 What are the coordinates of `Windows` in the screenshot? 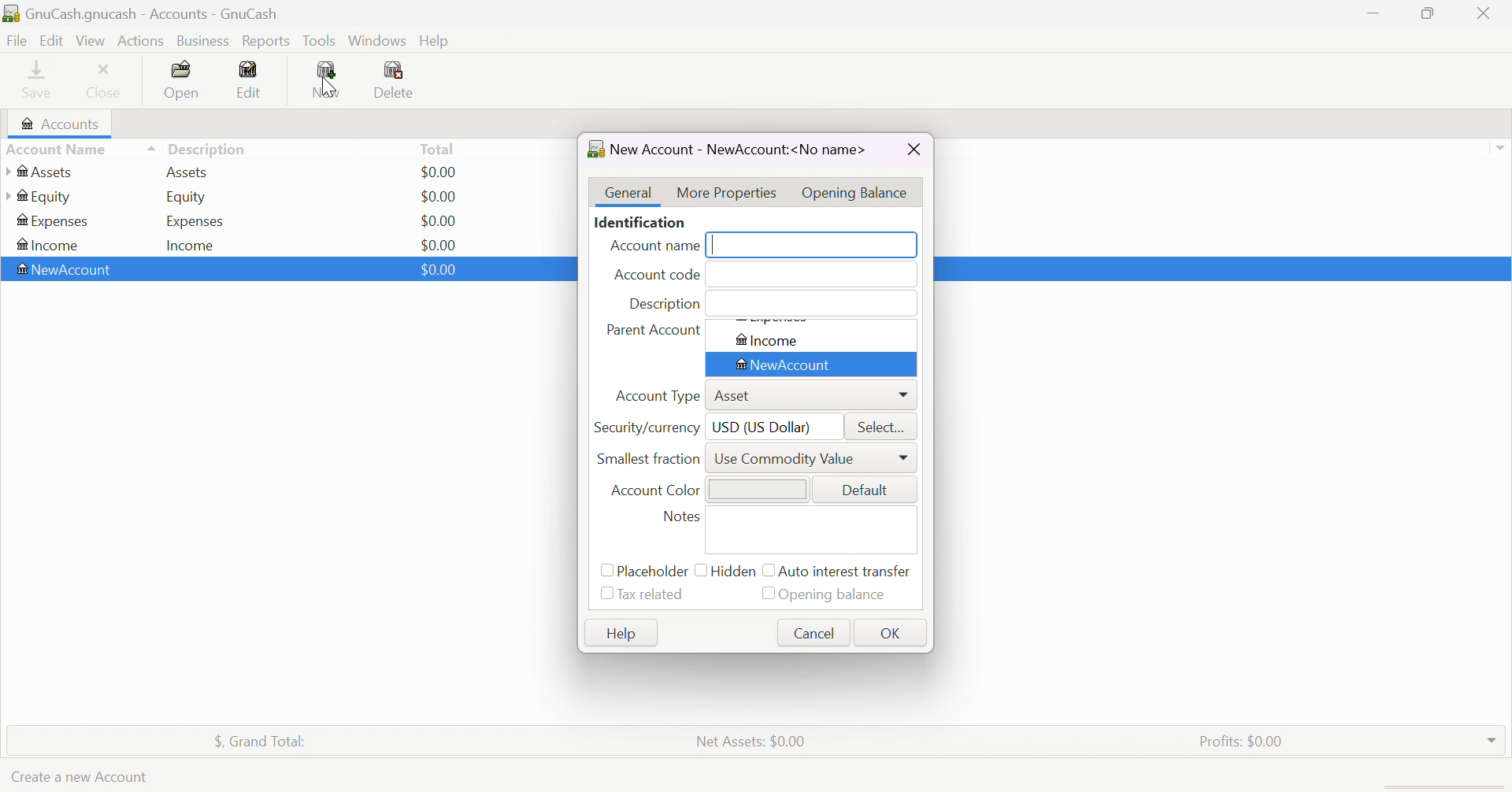 It's located at (376, 39).